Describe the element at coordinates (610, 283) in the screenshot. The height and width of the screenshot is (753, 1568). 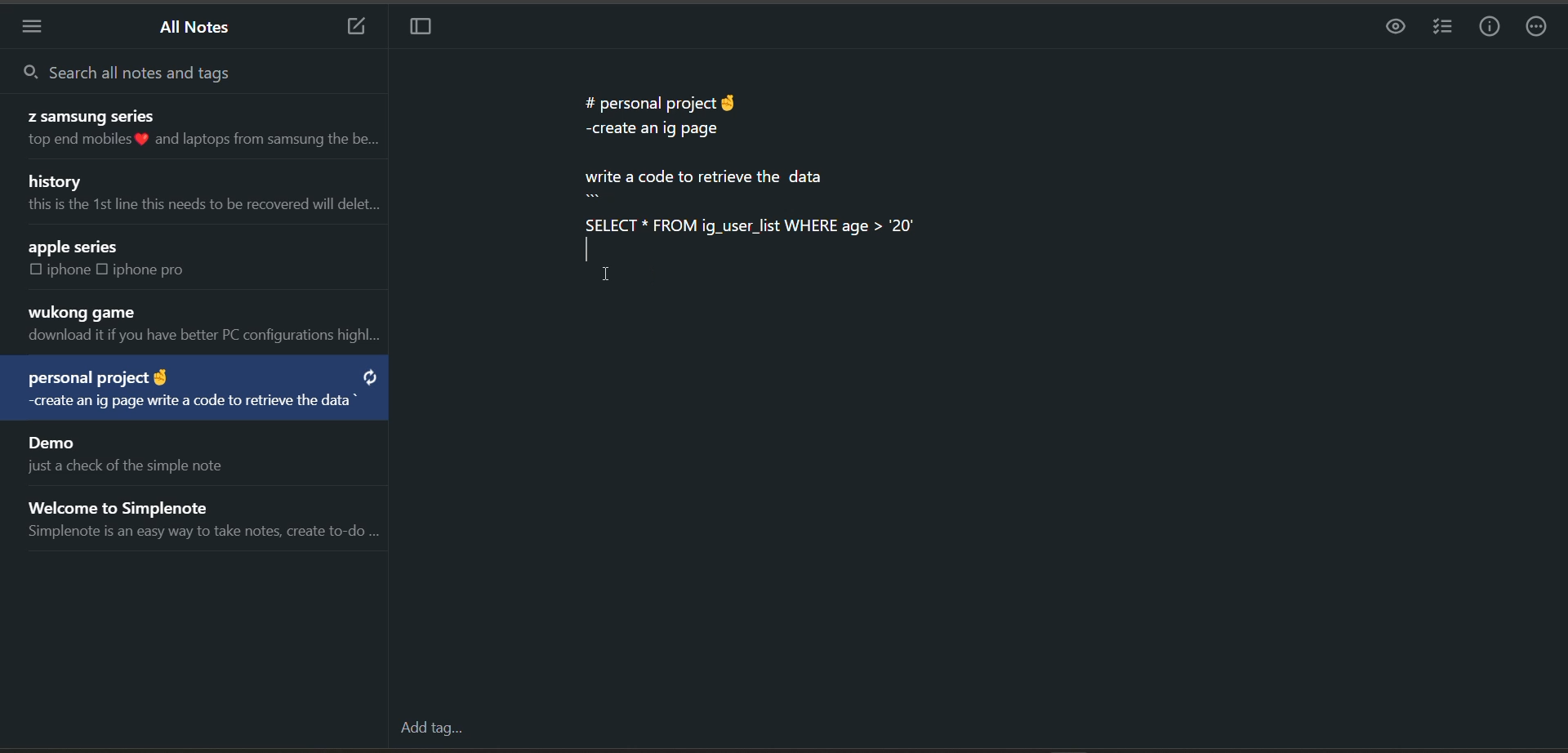
I see `cursor` at that location.